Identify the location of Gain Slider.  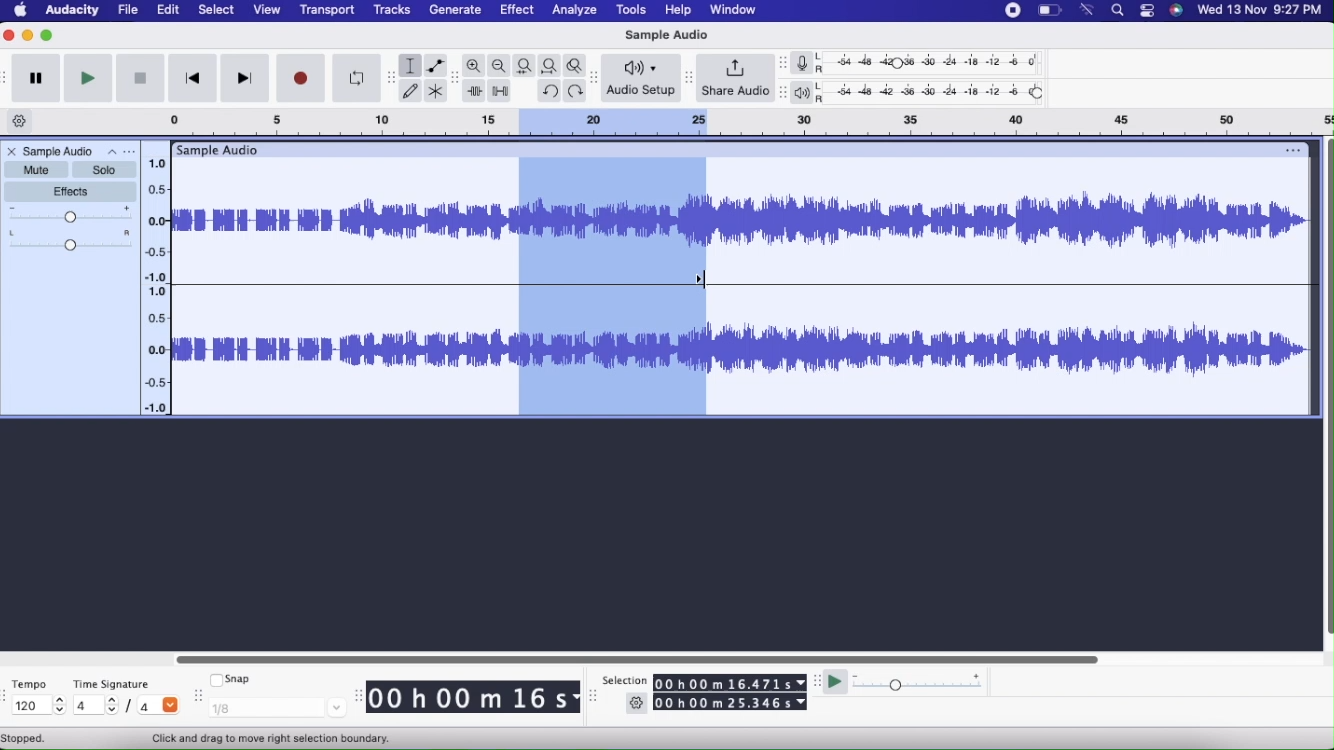
(71, 215).